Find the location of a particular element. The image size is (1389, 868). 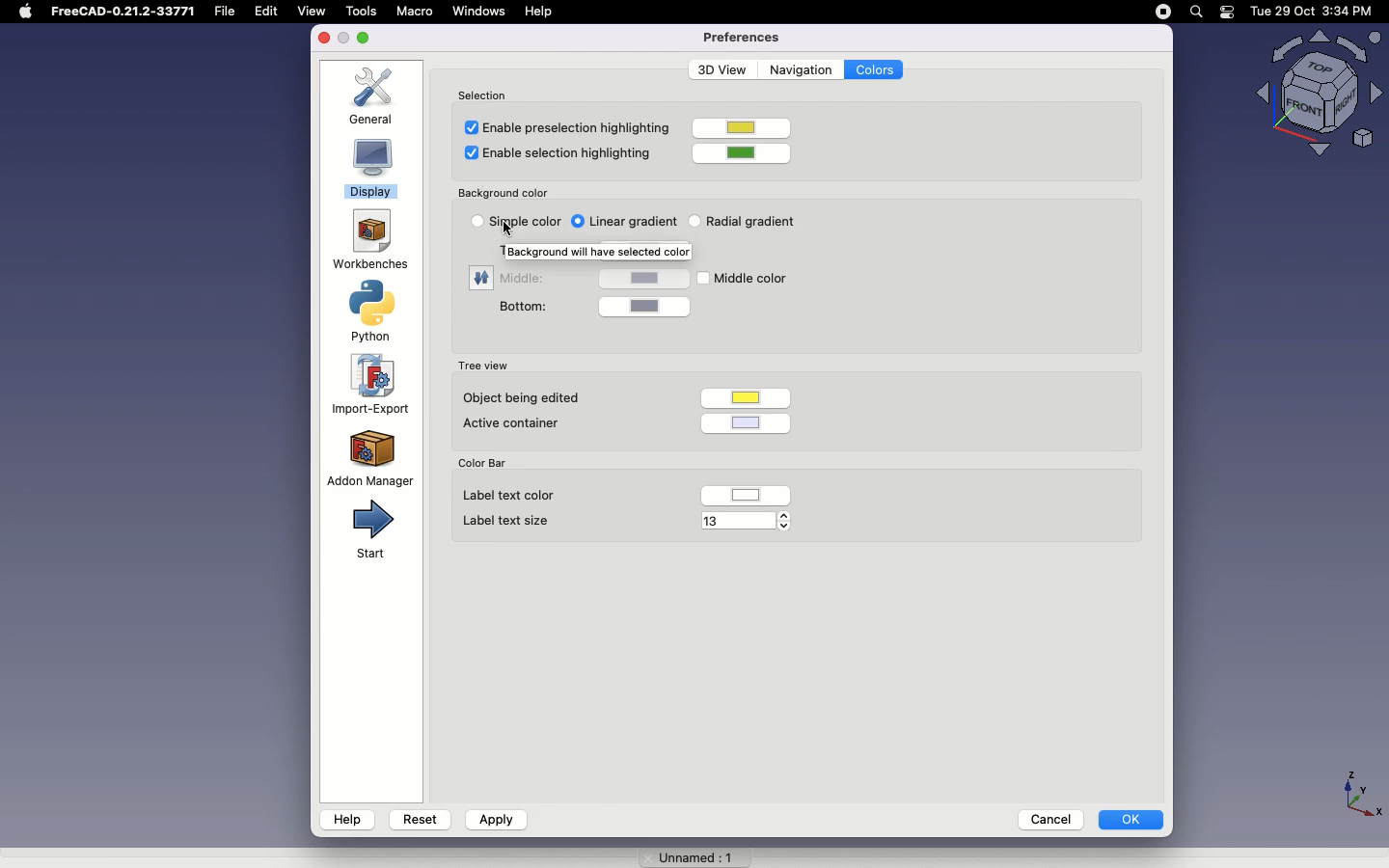

Import-Export is located at coordinates (374, 385).